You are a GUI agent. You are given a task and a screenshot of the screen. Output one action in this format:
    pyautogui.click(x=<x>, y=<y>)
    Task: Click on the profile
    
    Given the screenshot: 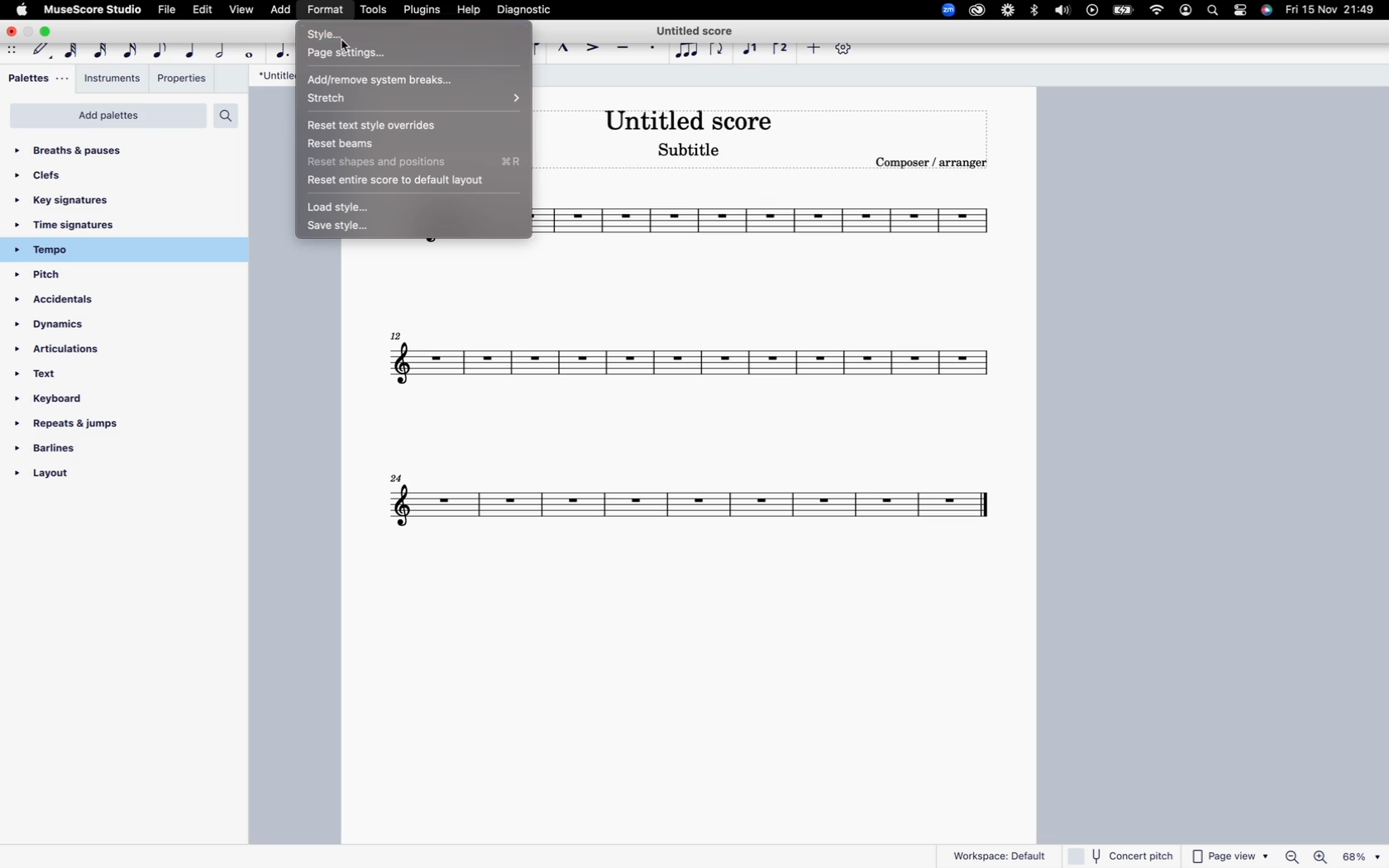 What is the action you would take?
    pyautogui.click(x=1186, y=12)
    